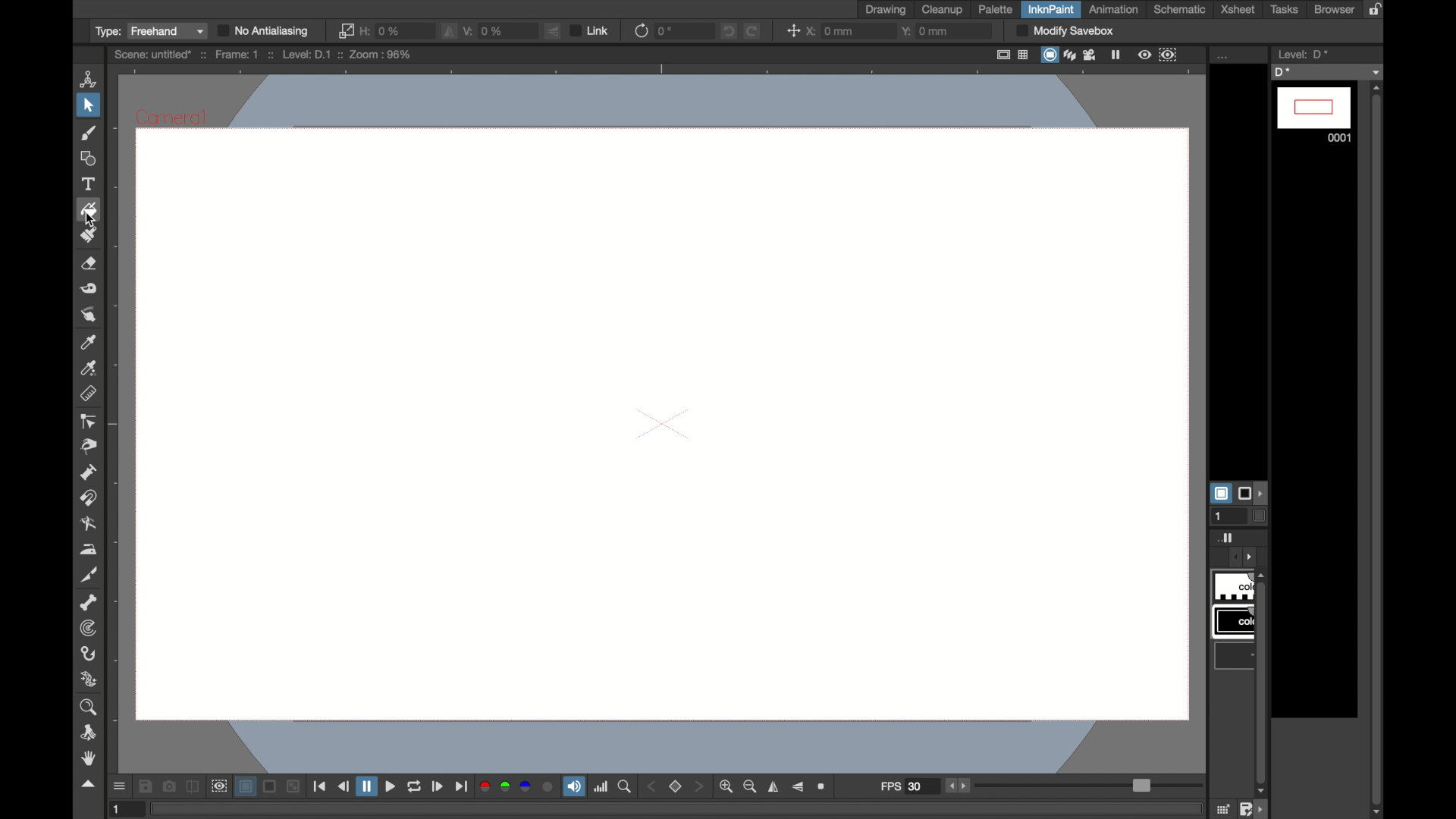 This screenshot has height=819, width=1456. Describe the element at coordinates (86, 158) in the screenshot. I see `shape tool` at that location.